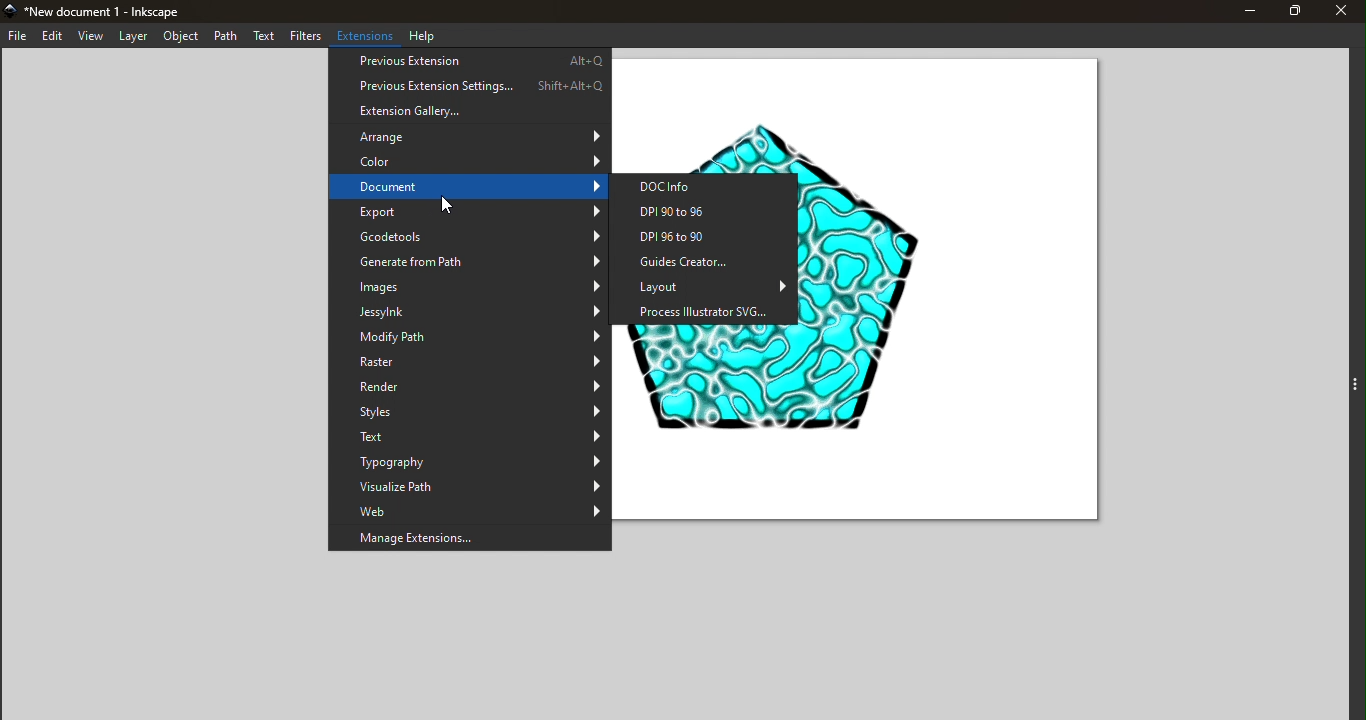  I want to click on Path, so click(226, 38).